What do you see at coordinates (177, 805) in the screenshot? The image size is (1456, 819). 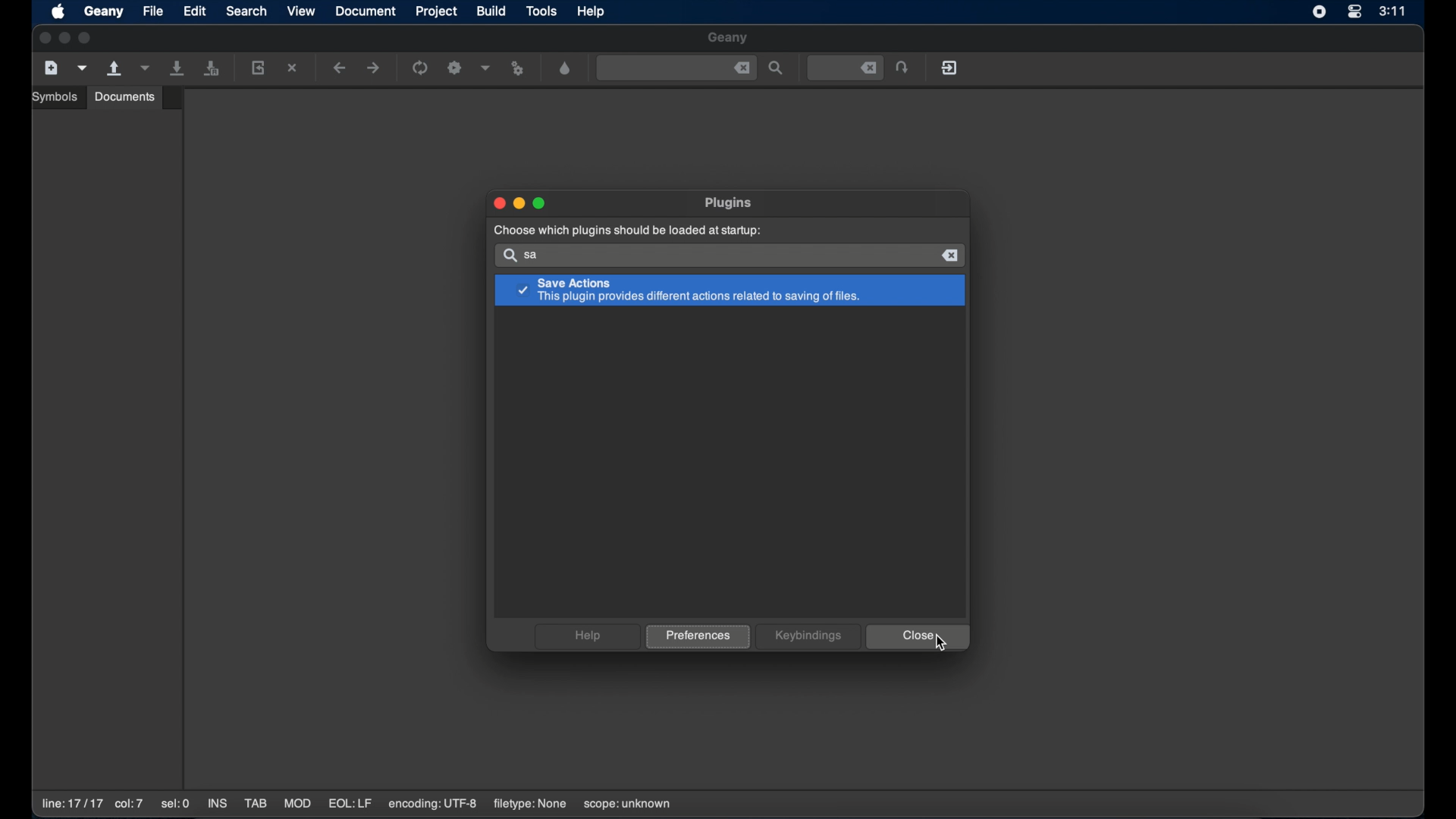 I see `sel:0` at bounding box center [177, 805].